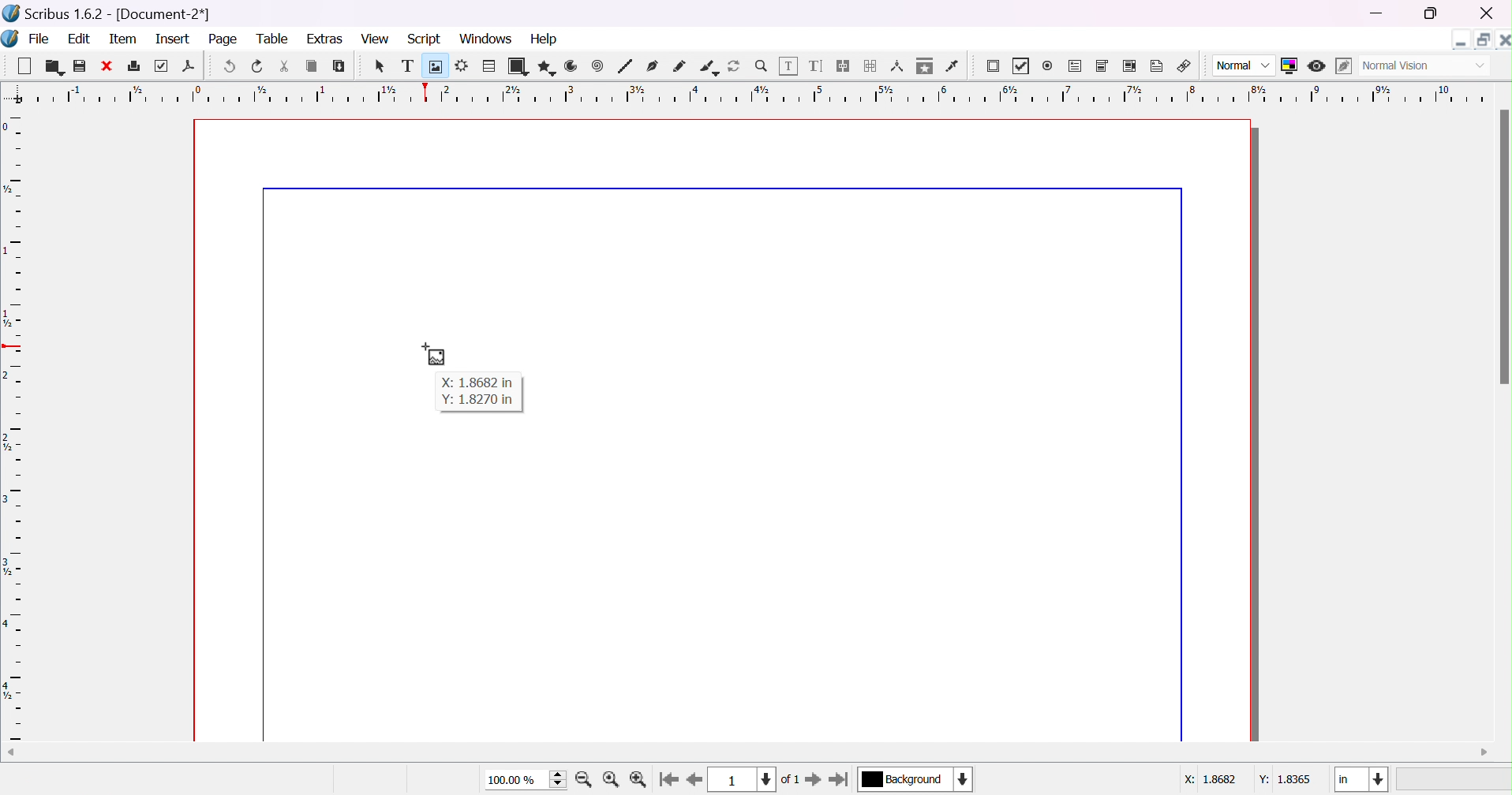 The image size is (1512, 795). What do you see at coordinates (312, 66) in the screenshot?
I see `copy` at bounding box center [312, 66].